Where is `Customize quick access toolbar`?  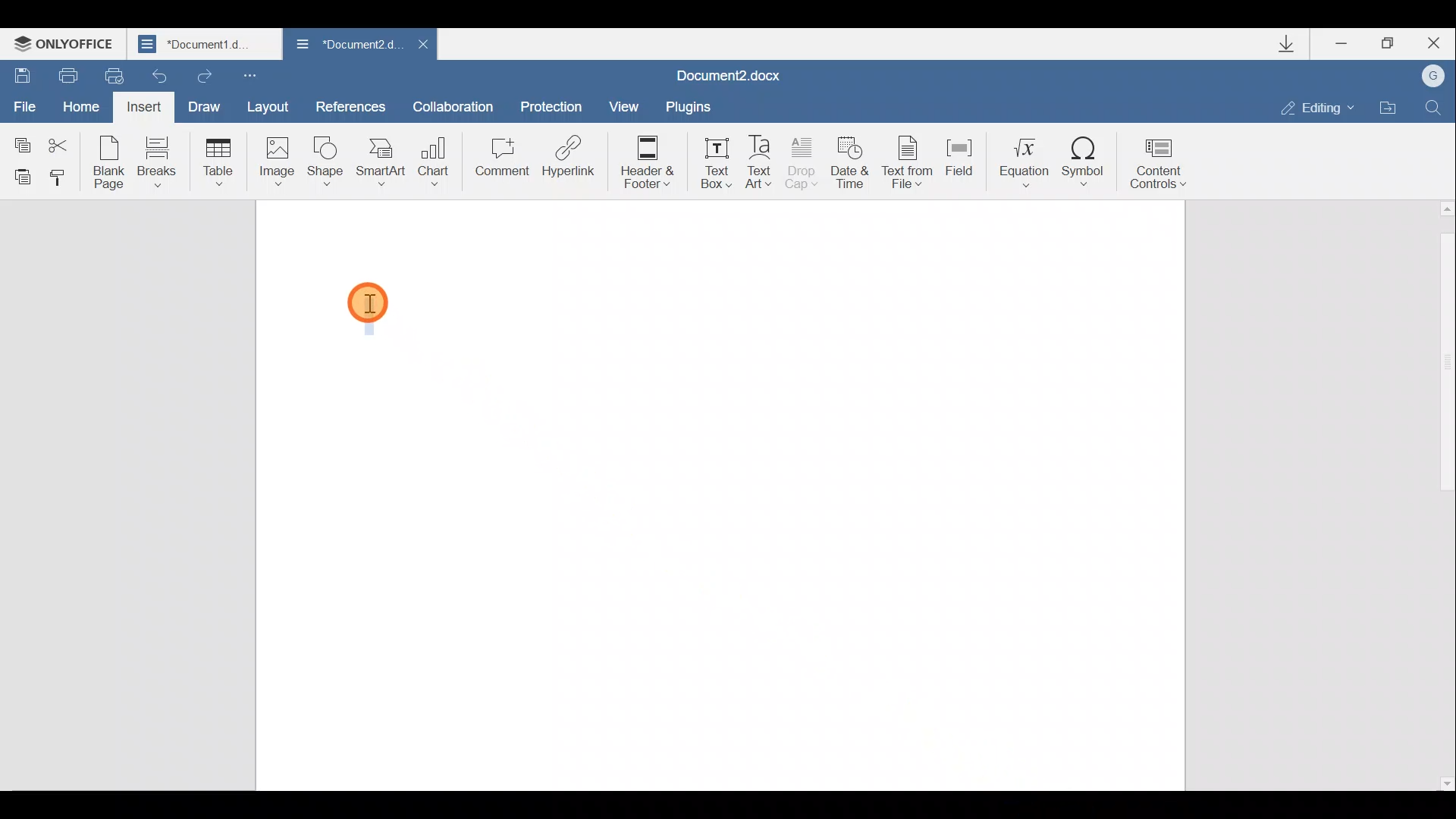 Customize quick access toolbar is located at coordinates (249, 76).